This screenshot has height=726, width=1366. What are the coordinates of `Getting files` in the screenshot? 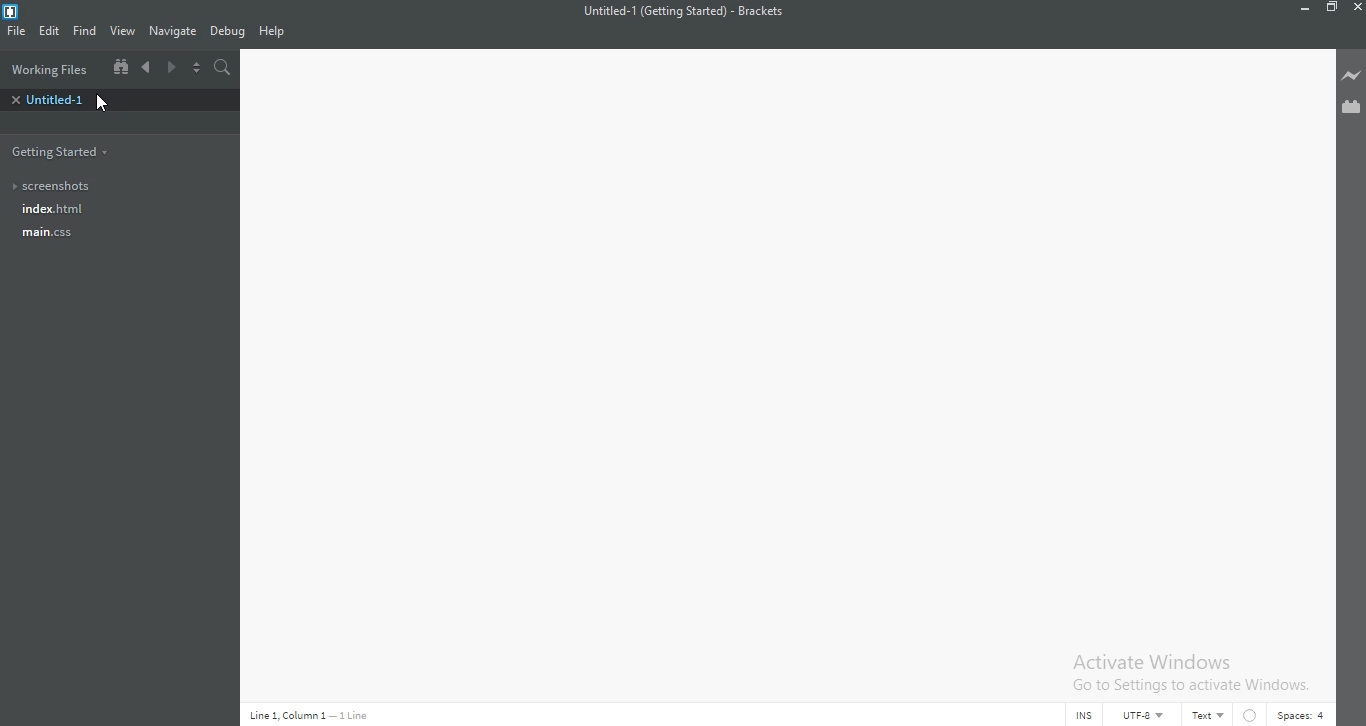 It's located at (82, 151).